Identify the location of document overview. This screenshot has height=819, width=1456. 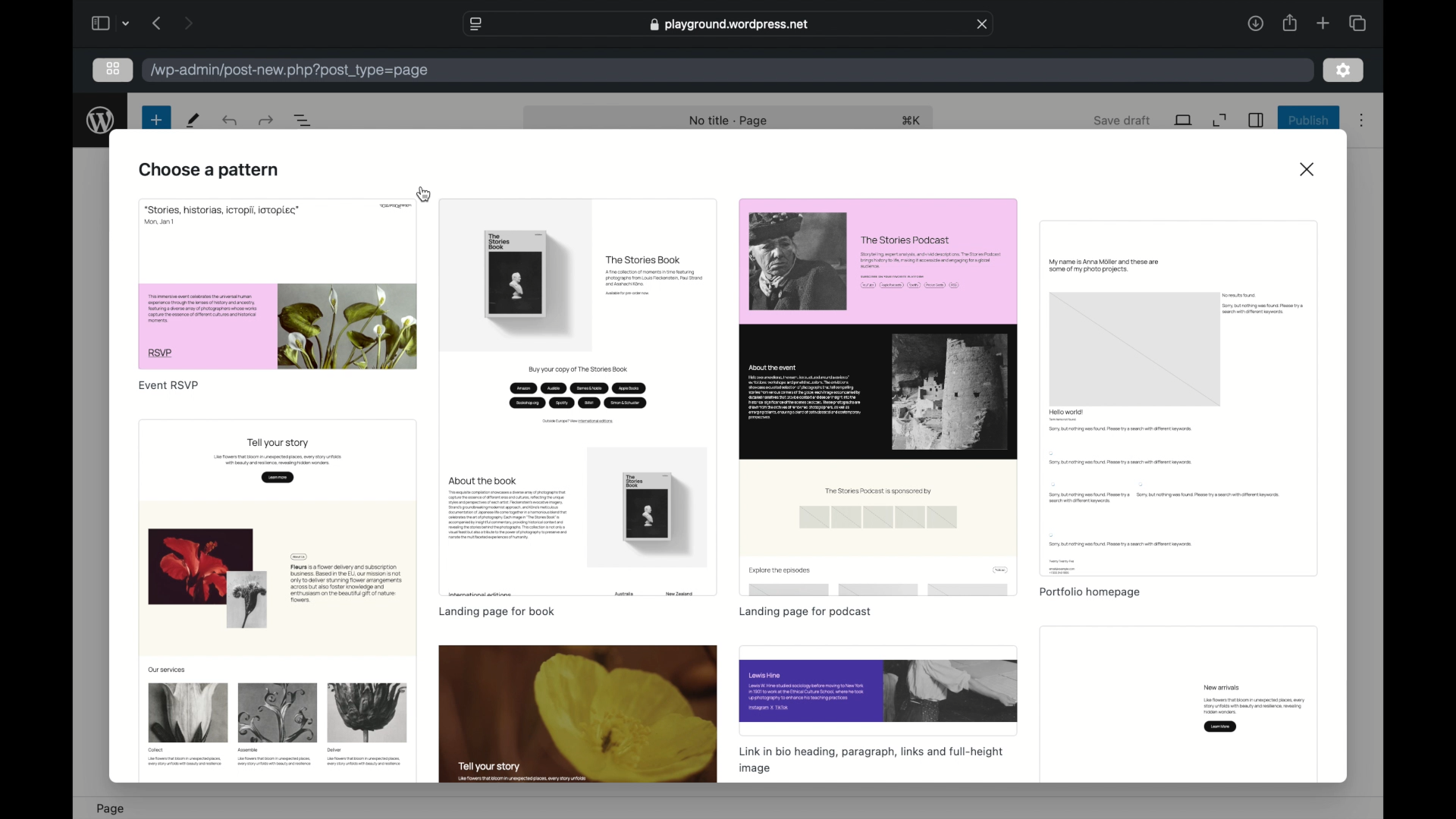
(303, 121).